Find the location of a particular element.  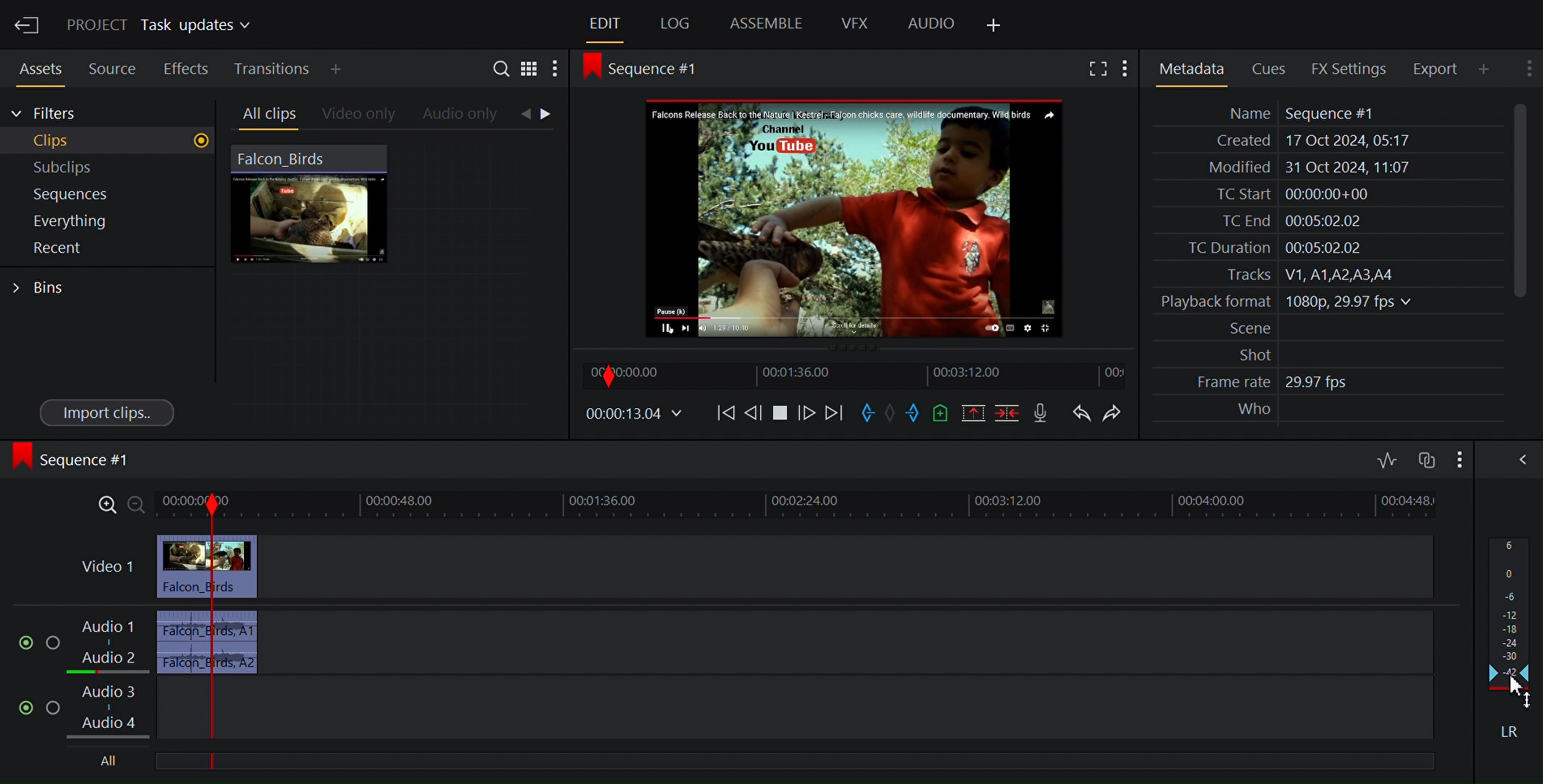

Export is located at coordinates (1434, 69).